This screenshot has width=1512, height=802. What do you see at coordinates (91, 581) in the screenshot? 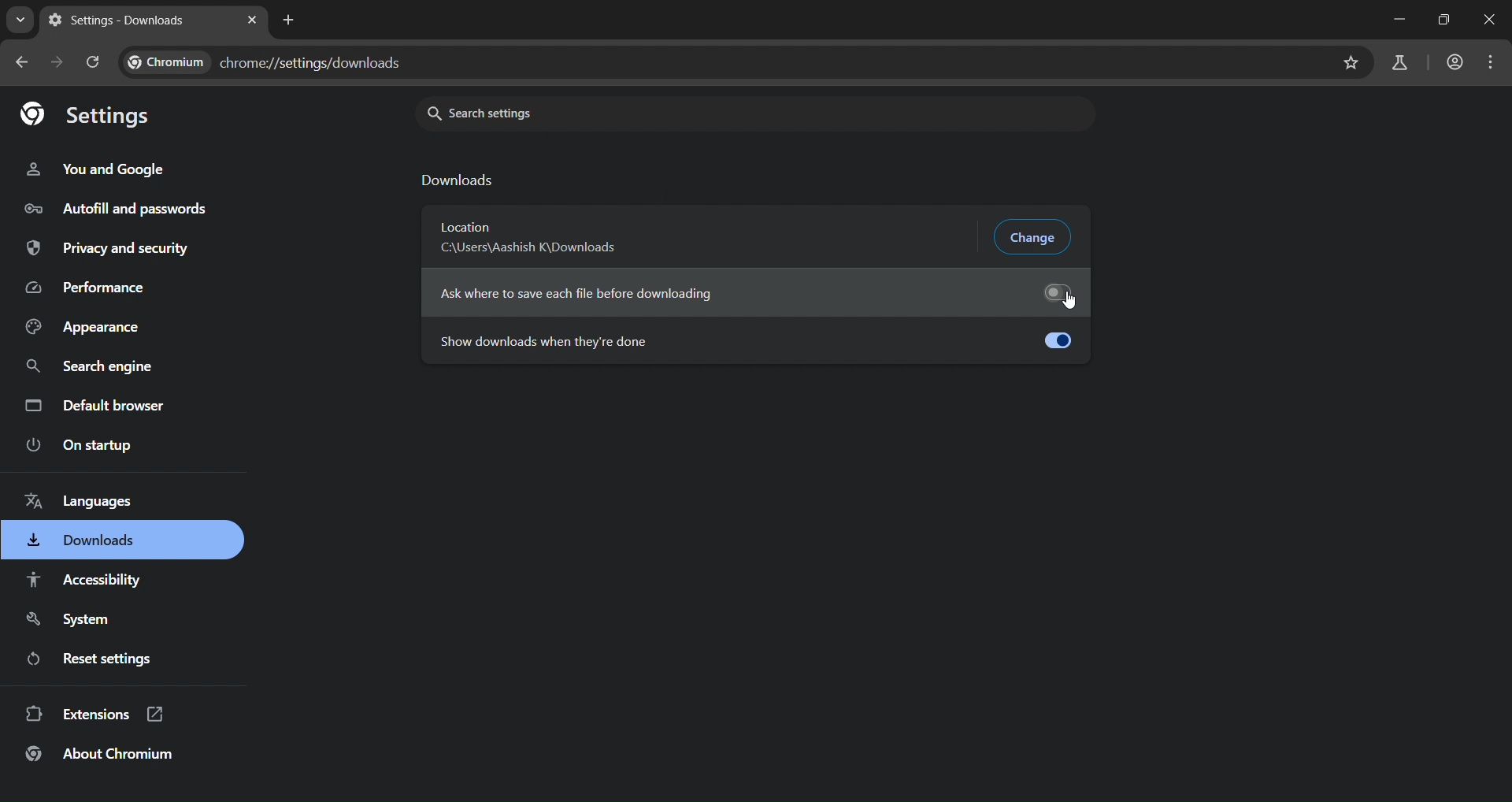
I see `accessibility` at bounding box center [91, 581].